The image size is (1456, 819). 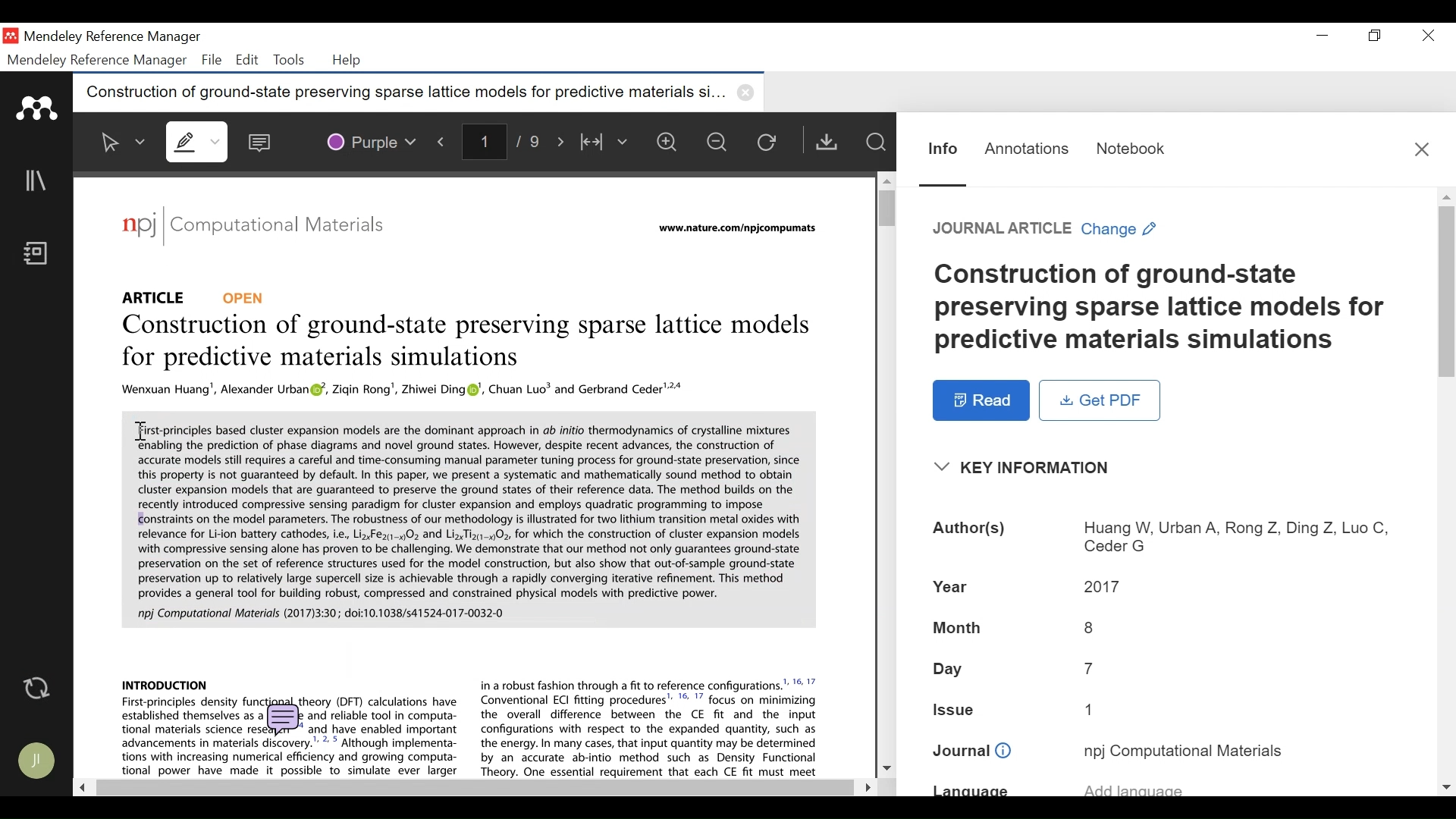 What do you see at coordinates (165, 683) in the screenshot?
I see `PDF Context` at bounding box center [165, 683].